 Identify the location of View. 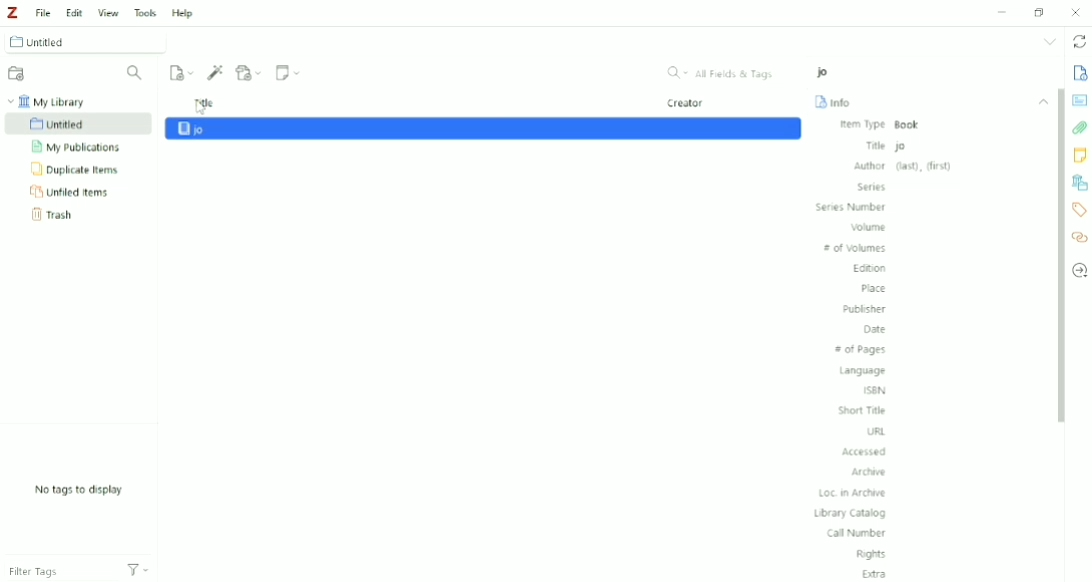
(107, 10).